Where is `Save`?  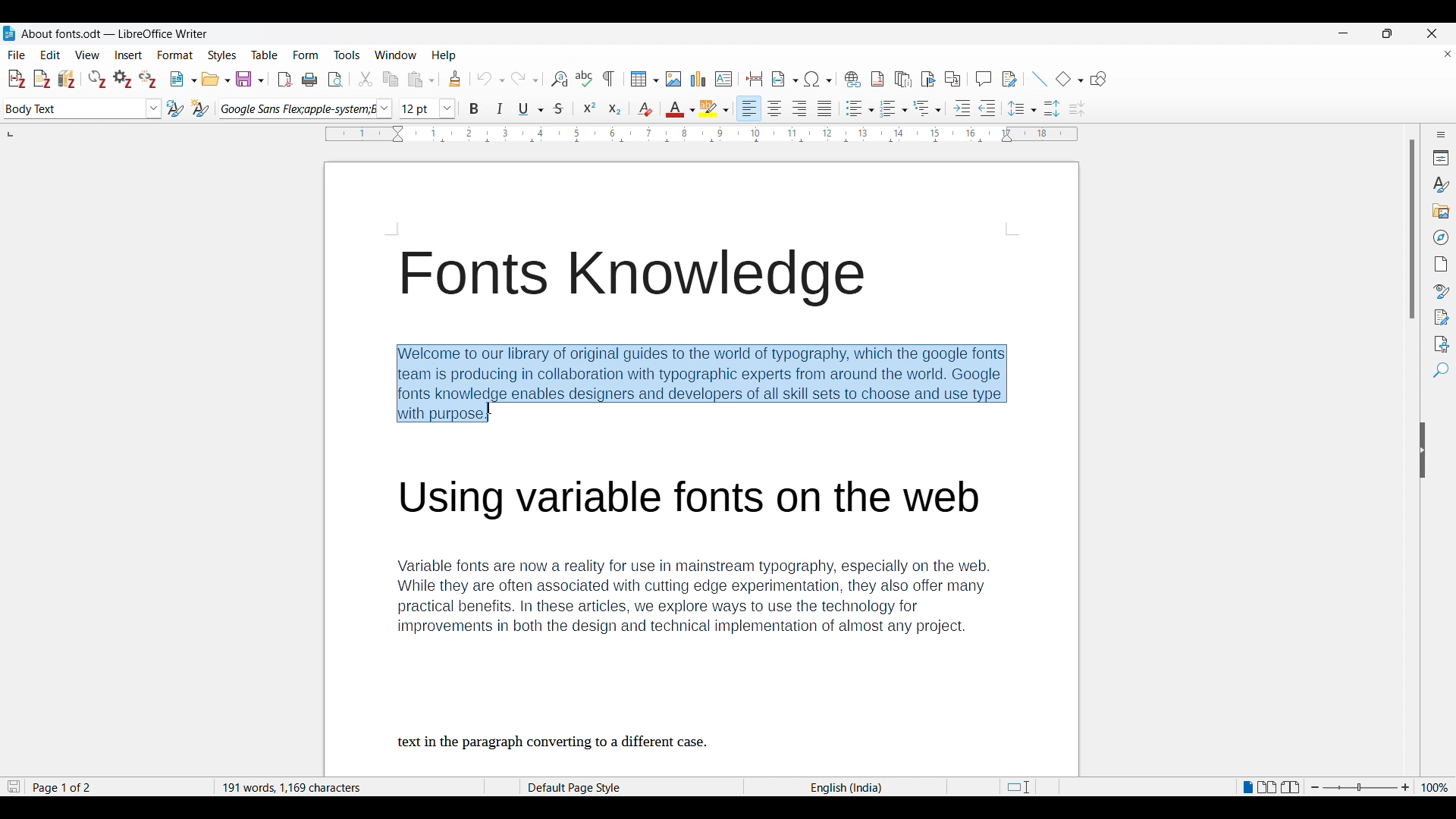 Save is located at coordinates (250, 79).